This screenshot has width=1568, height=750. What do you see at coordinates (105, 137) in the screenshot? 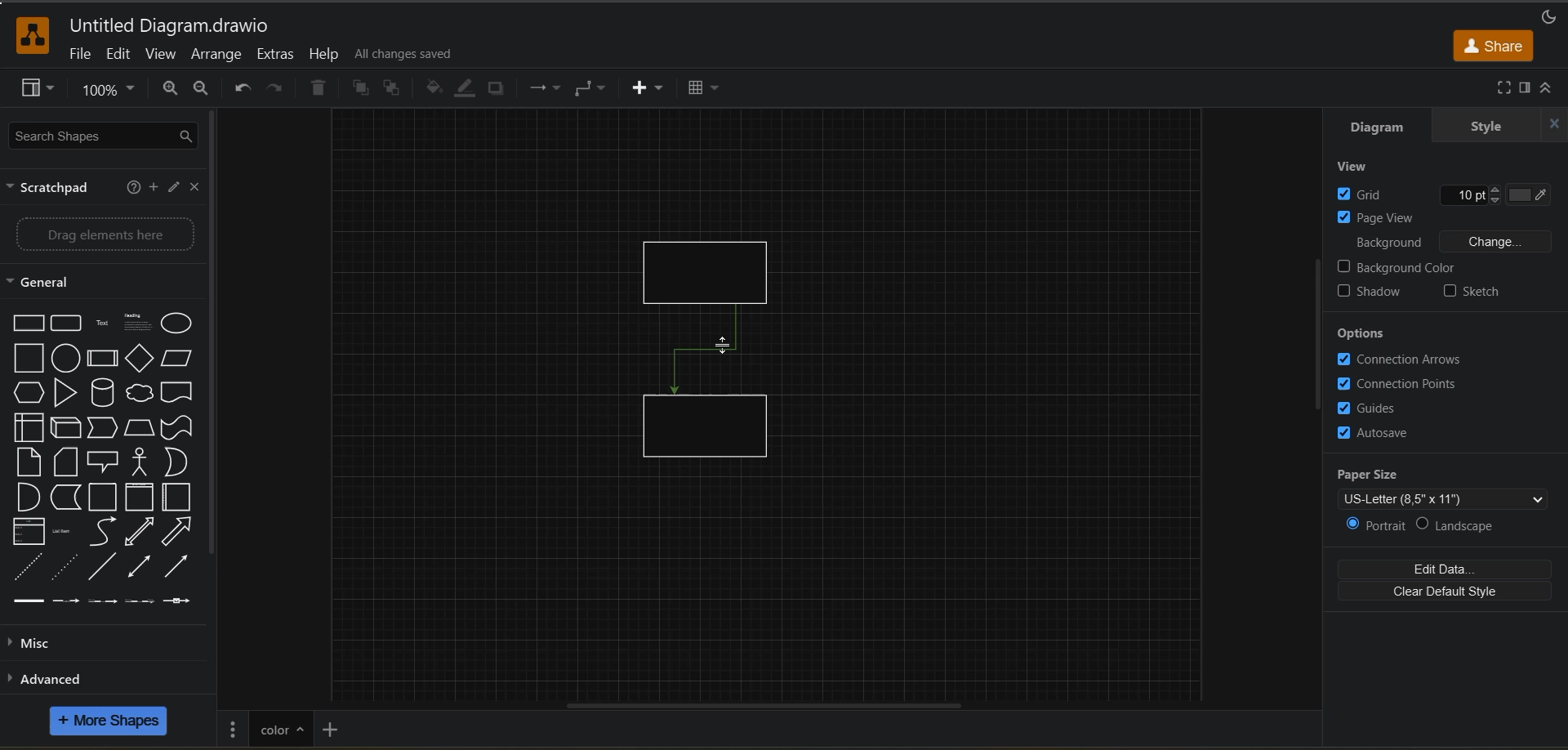
I see `search shapes` at bounding box center [105, 137].